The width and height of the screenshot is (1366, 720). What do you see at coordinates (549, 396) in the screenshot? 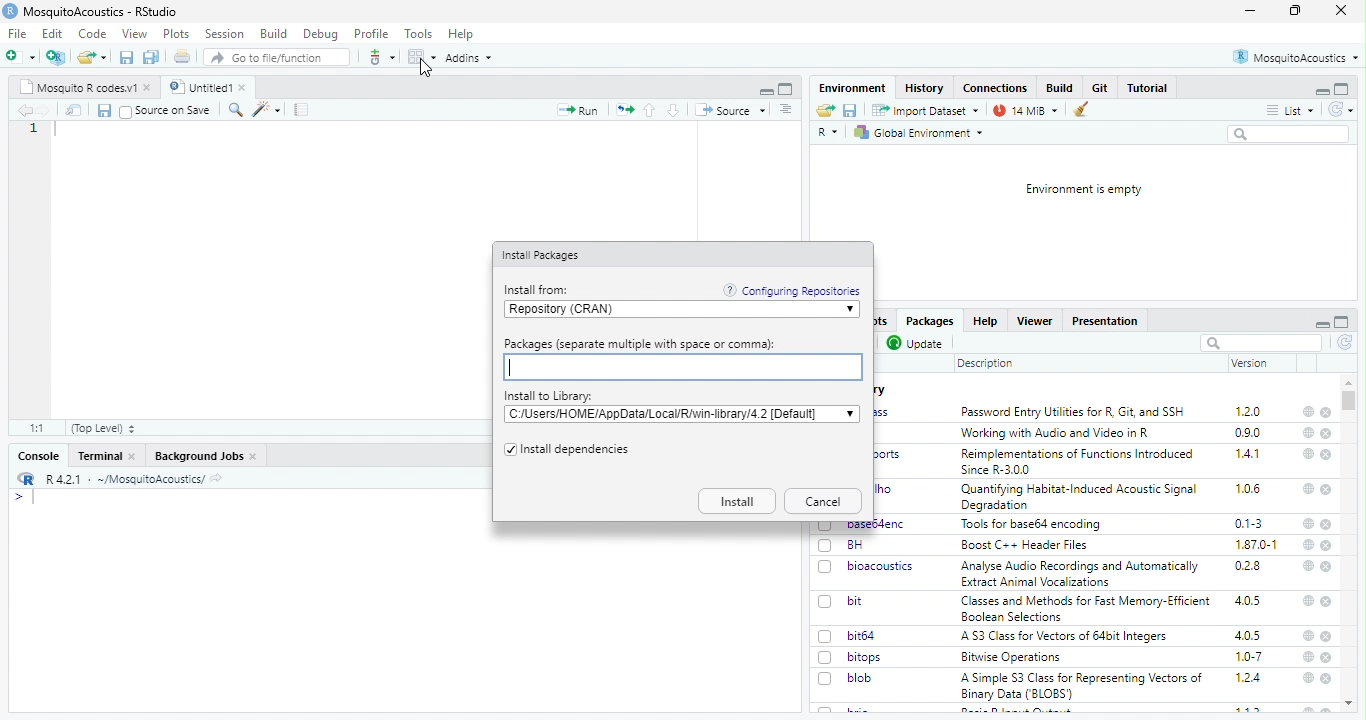
I see `Install to Library:` at bounding box center [549, 396].